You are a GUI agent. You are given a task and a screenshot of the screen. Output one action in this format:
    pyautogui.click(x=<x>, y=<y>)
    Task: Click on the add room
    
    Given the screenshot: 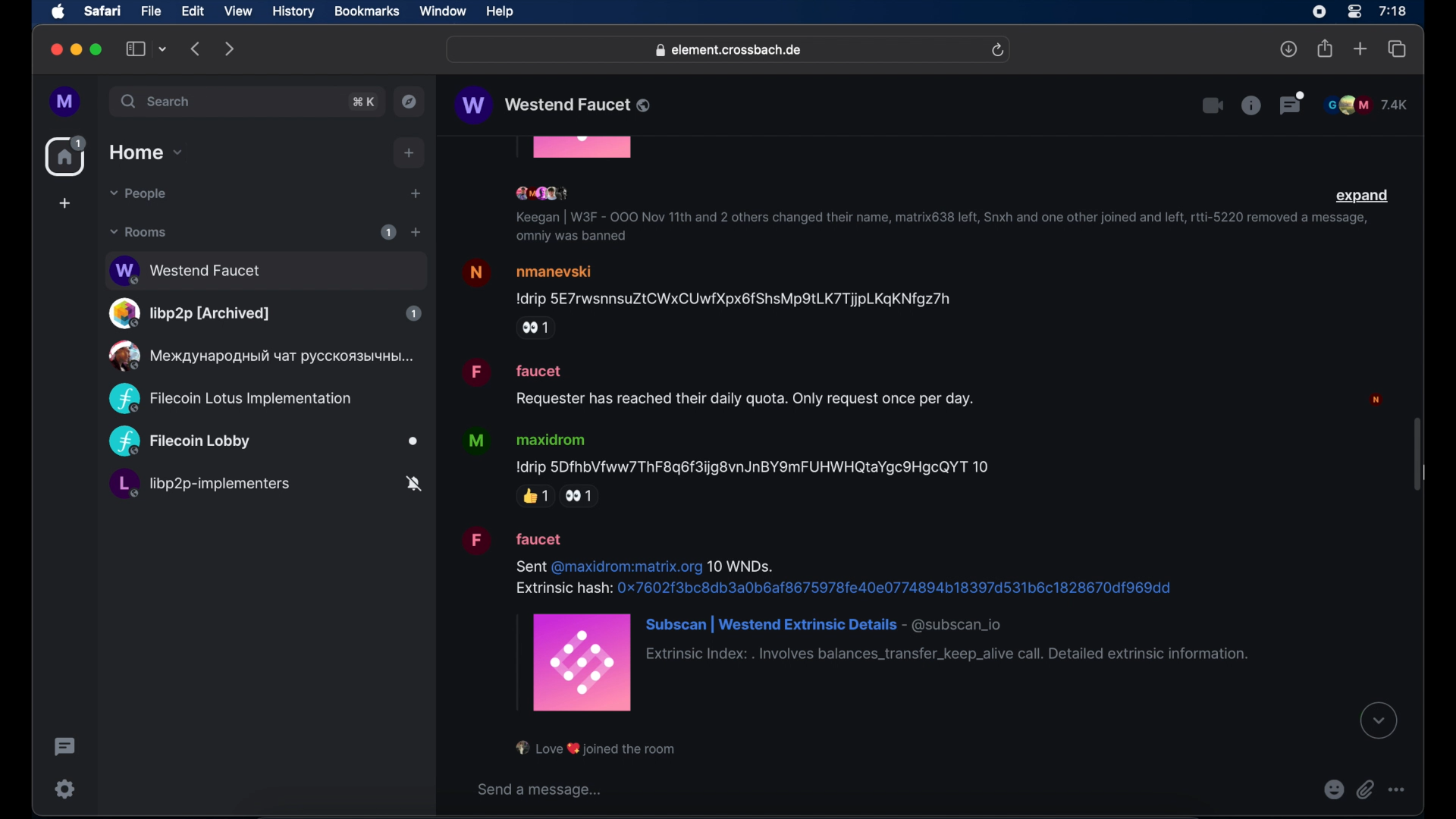 What is the action you would take?
    pyautogui.click(x=416, y=232)
    